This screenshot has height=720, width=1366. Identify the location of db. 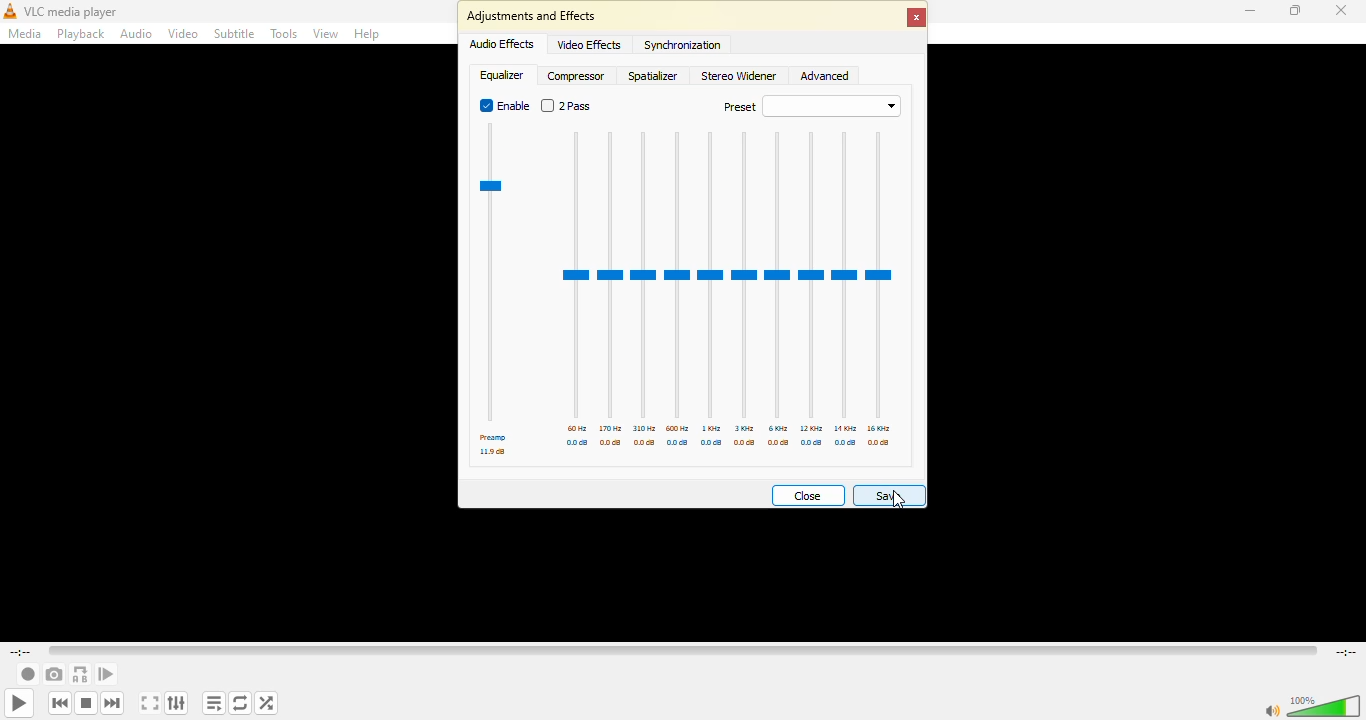
(680, 444).